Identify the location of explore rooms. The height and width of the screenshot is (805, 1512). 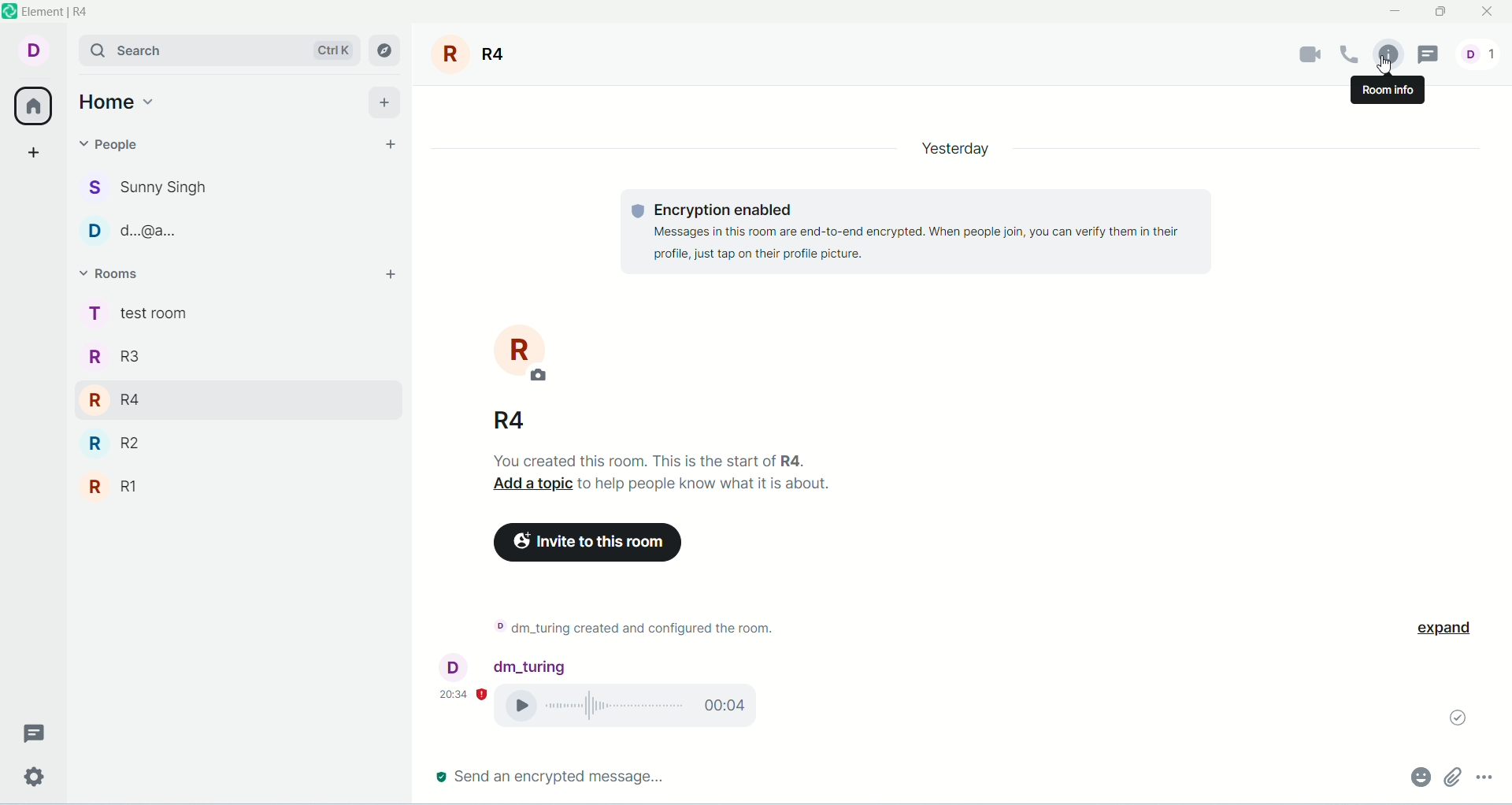
(386, 50).